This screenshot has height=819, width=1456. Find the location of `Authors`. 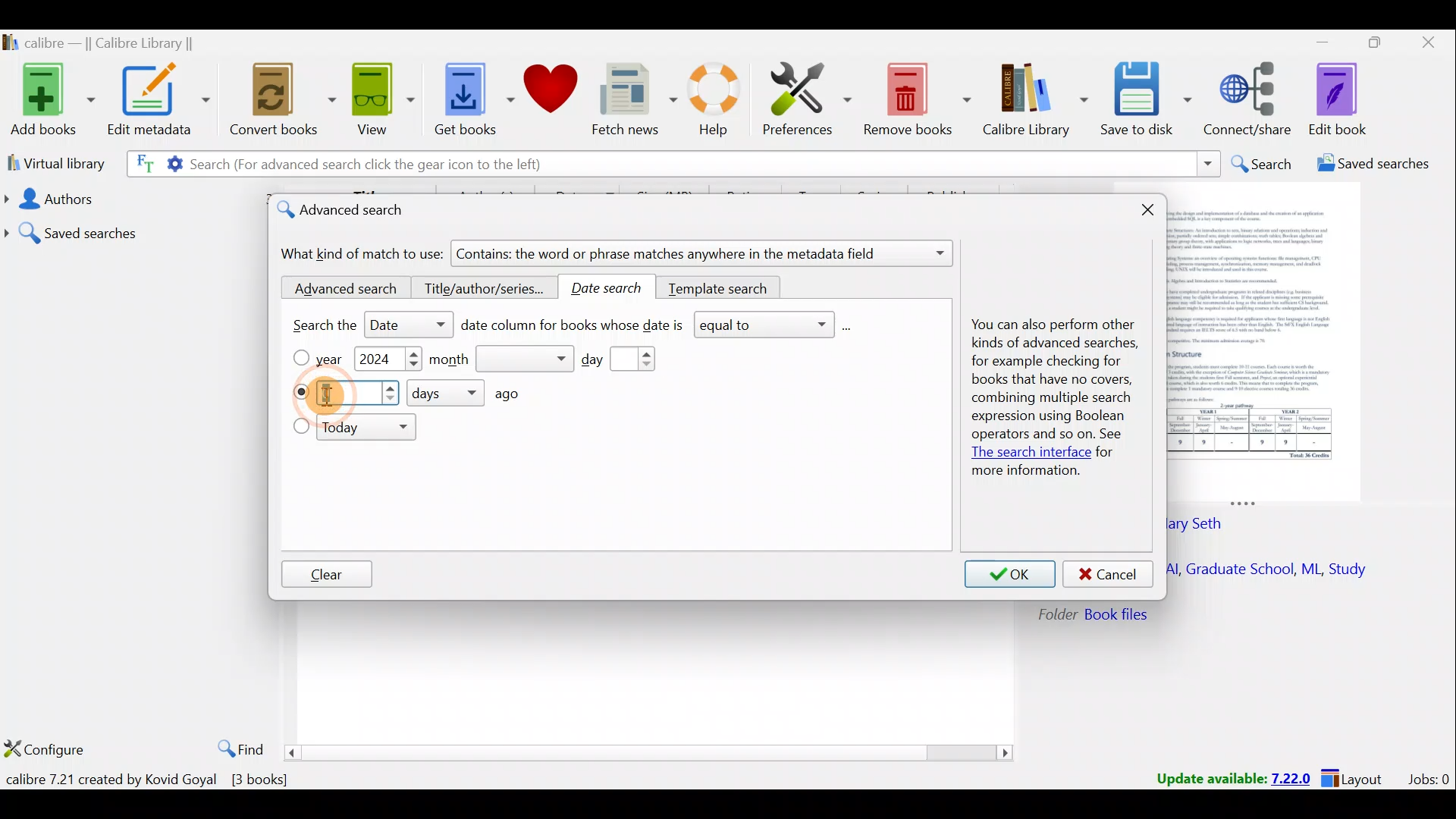

Authors is located at coordinates (130, 199).